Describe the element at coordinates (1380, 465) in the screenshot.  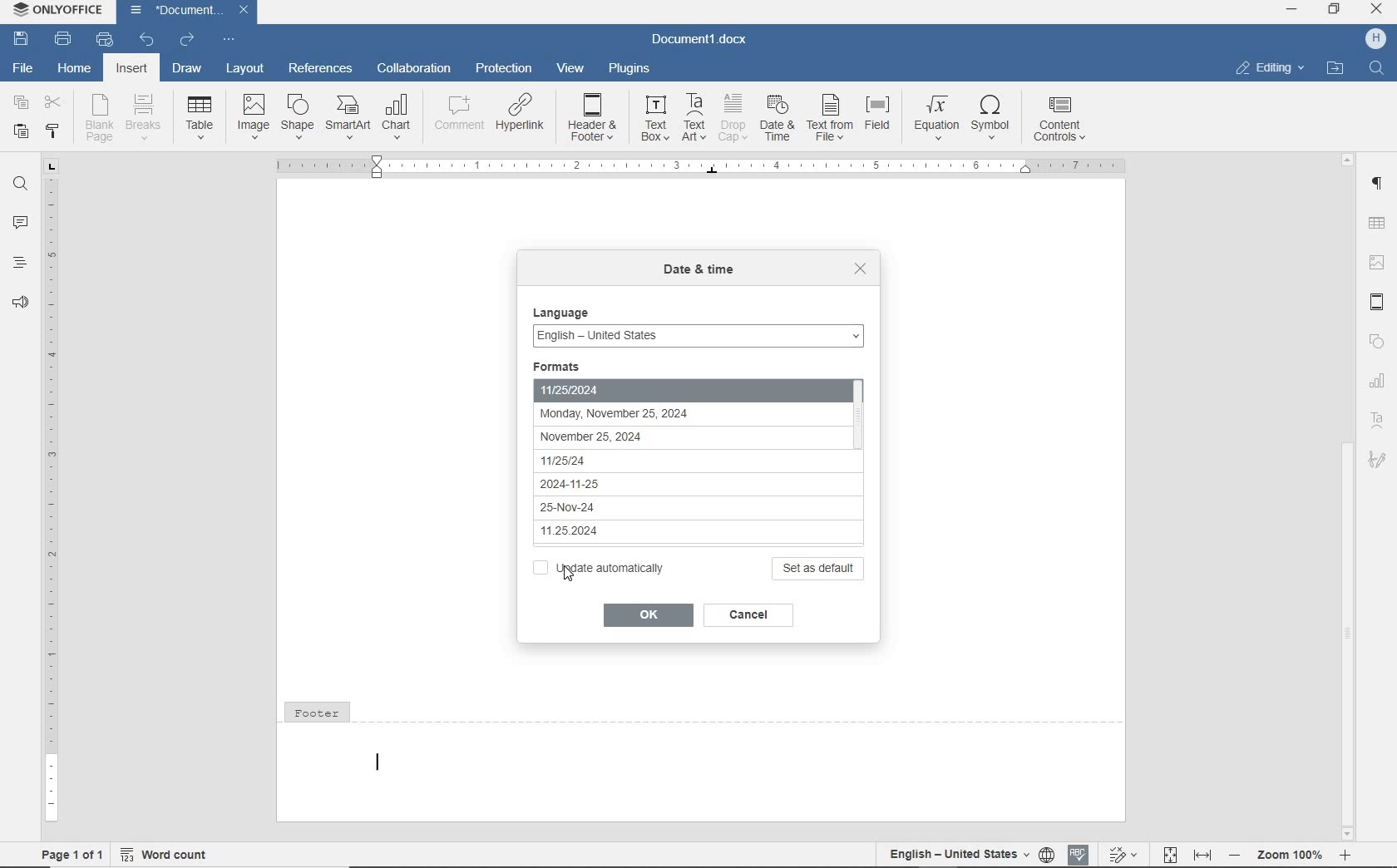
I see `Signature` at that location.